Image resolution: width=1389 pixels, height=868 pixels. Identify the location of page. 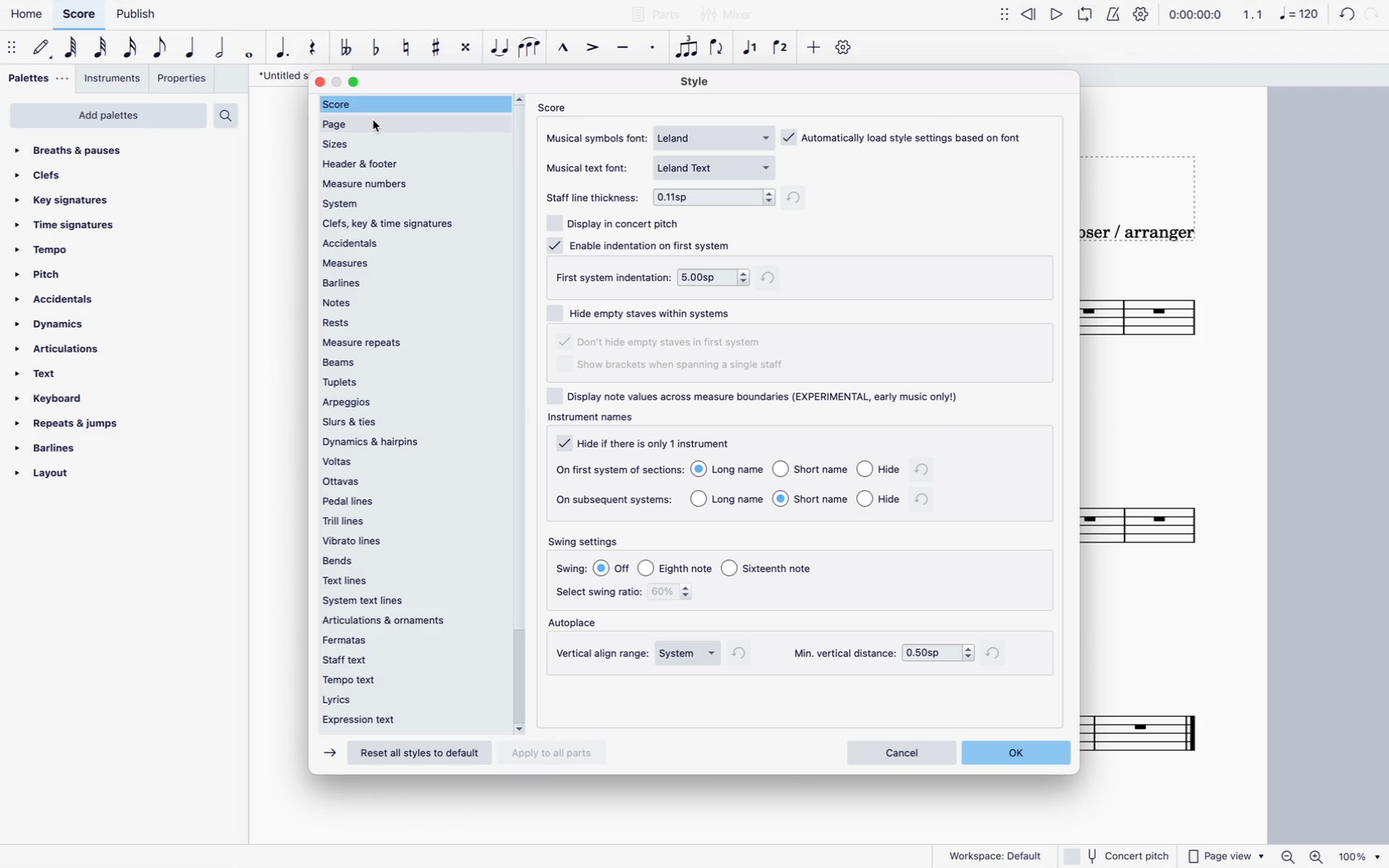
(413, 125).